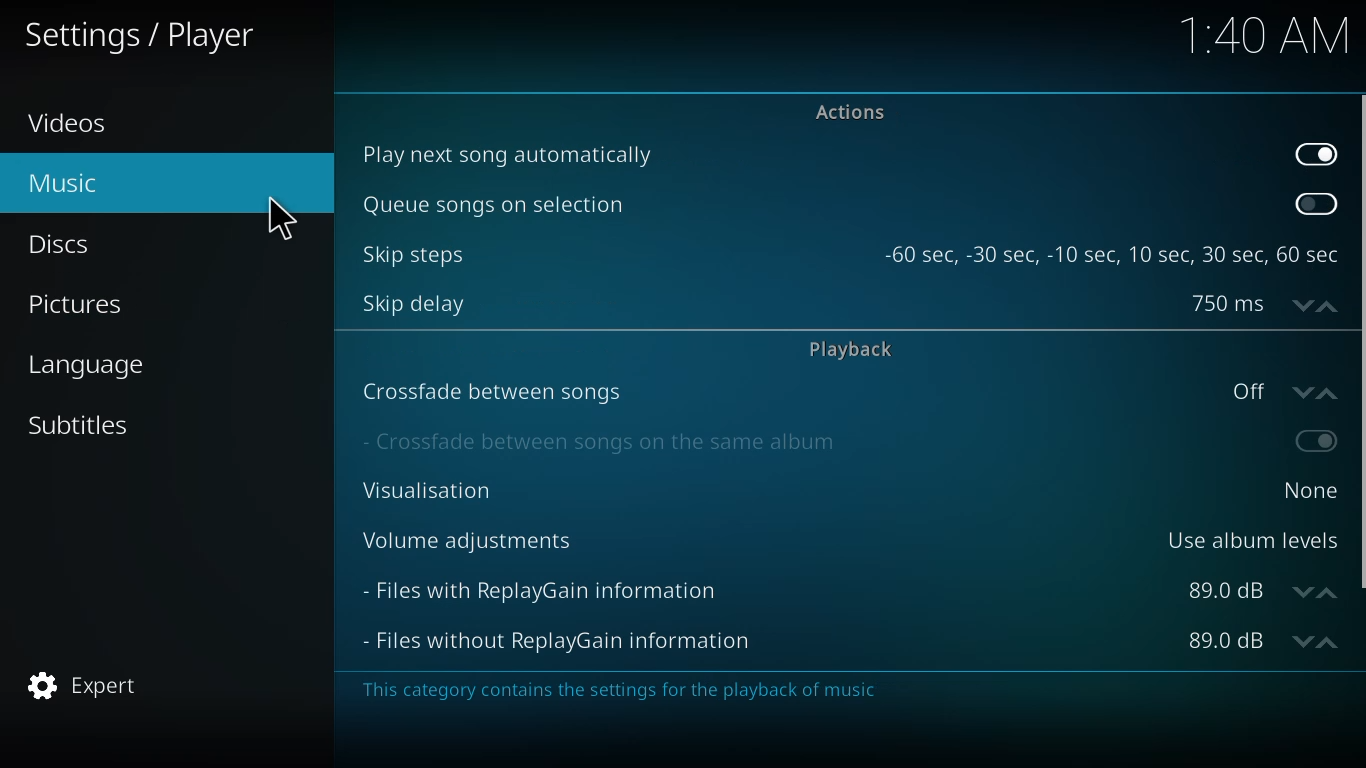  What do you see at coordinates (1360, 340) in the screenshot?
I see `scroll bar` at bounding box center [1360, 340].